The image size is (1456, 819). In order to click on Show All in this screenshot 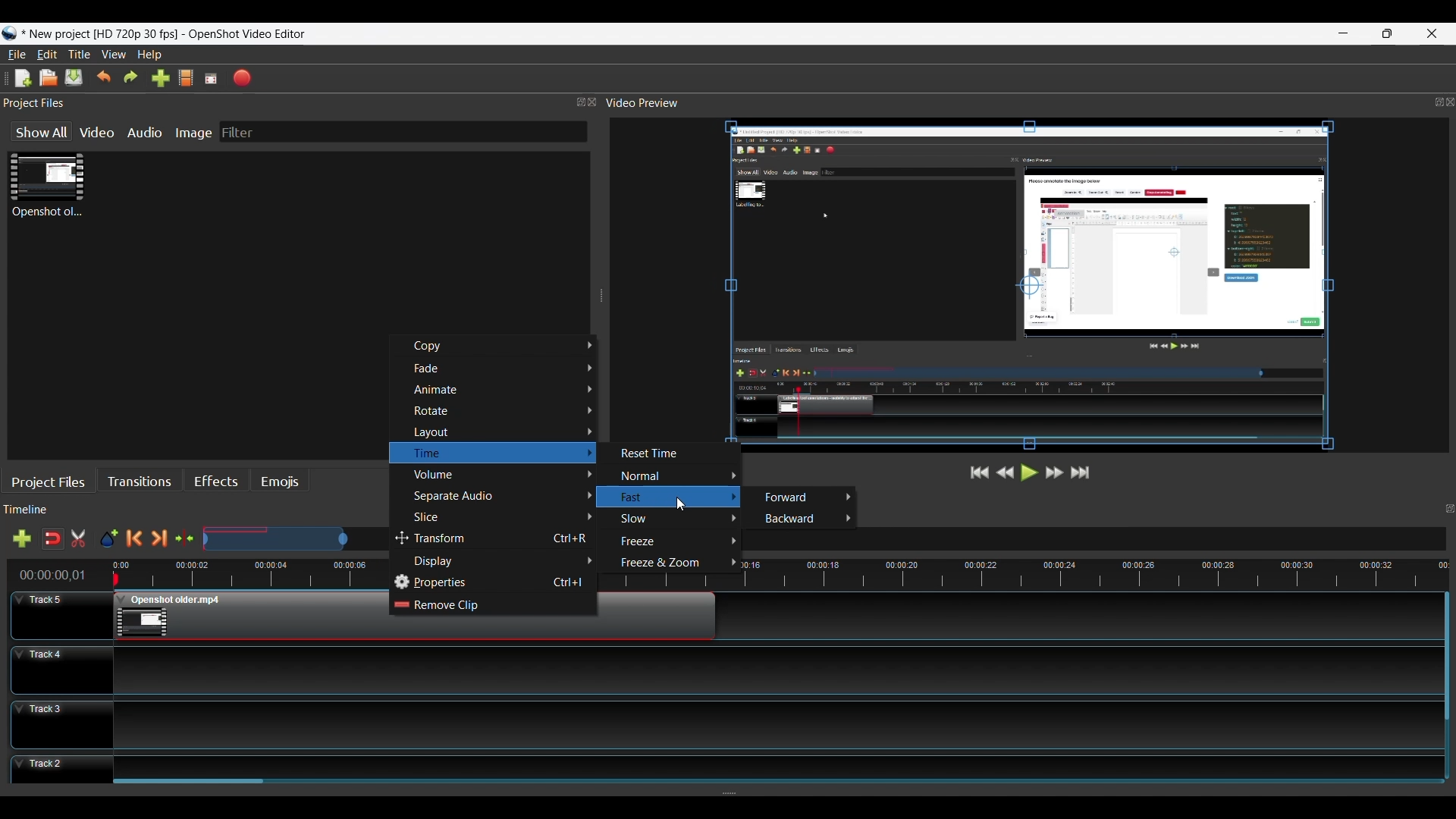, I will do `click(39, 132)`.